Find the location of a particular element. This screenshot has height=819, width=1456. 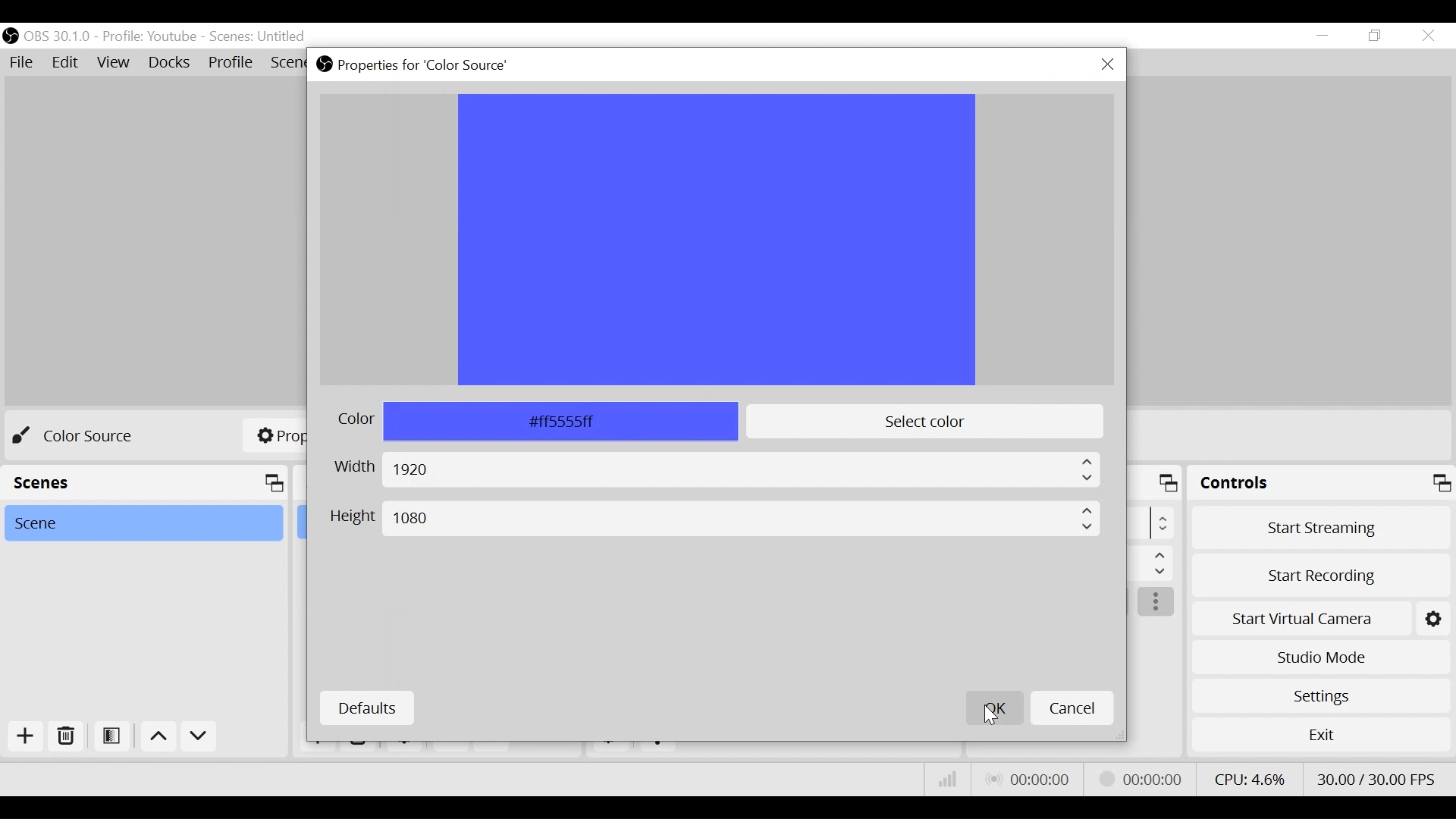

Properties for Color Source is located at coordinates (422, 65).